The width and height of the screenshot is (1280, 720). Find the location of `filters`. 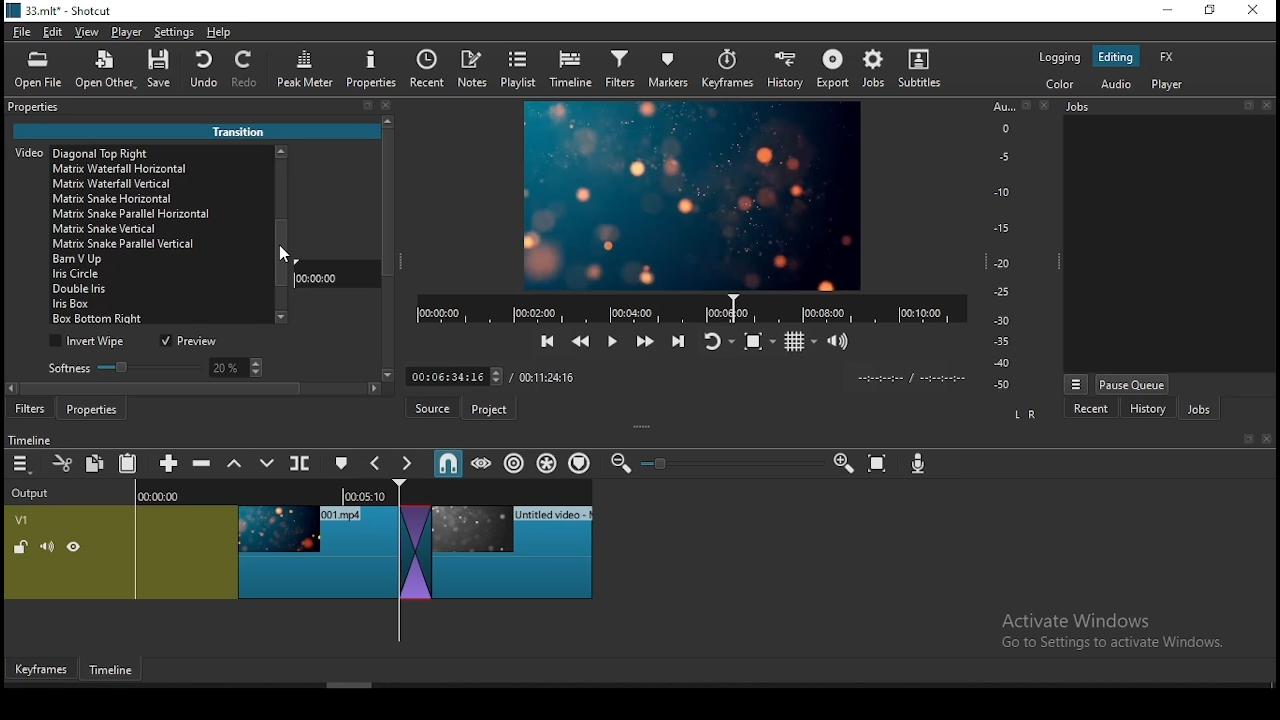

filters is located at coordinates (31, 410).